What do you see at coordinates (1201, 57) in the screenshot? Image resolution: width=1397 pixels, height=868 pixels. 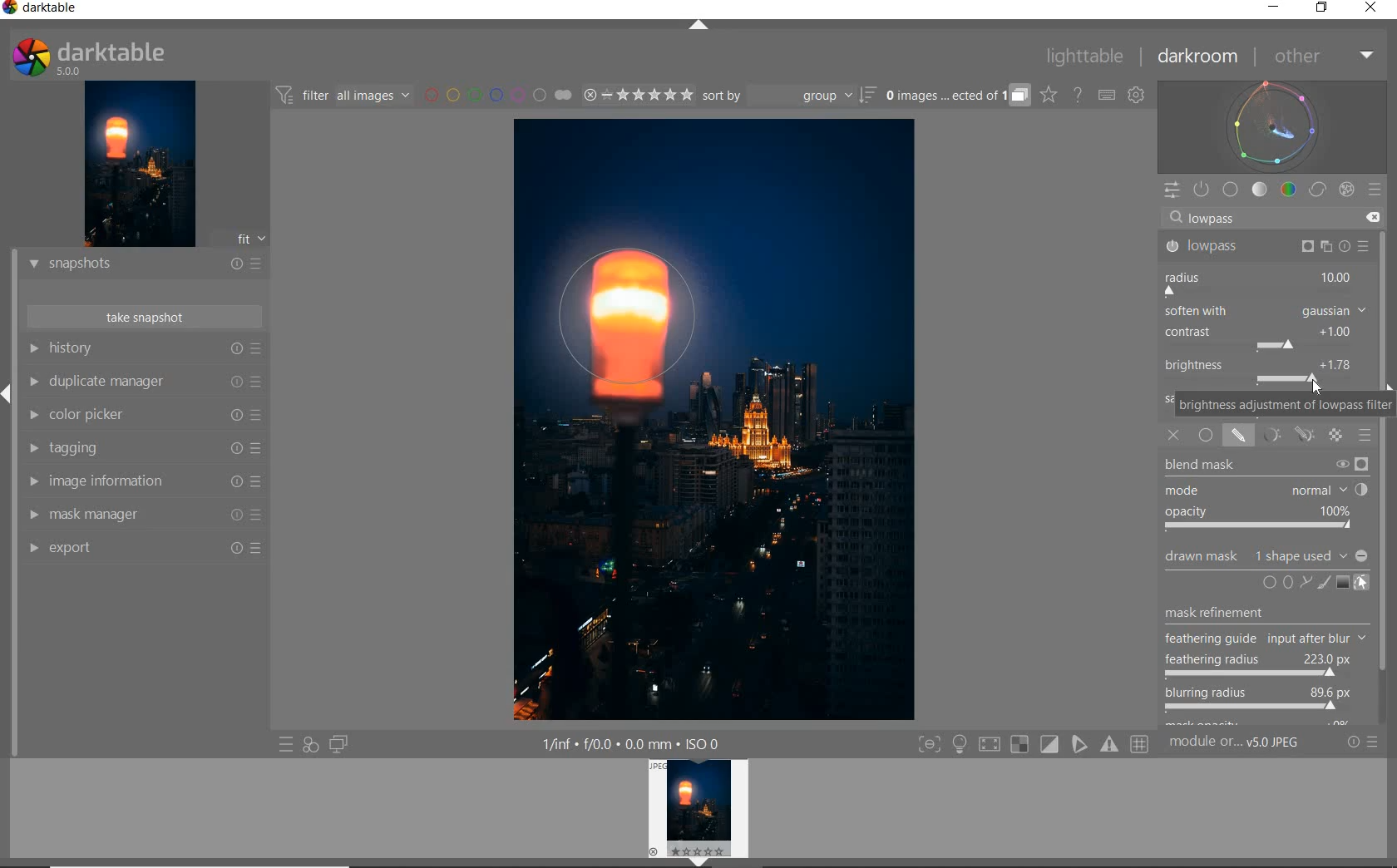 I see `DARKROOM` at bounding box center [1201, 57].